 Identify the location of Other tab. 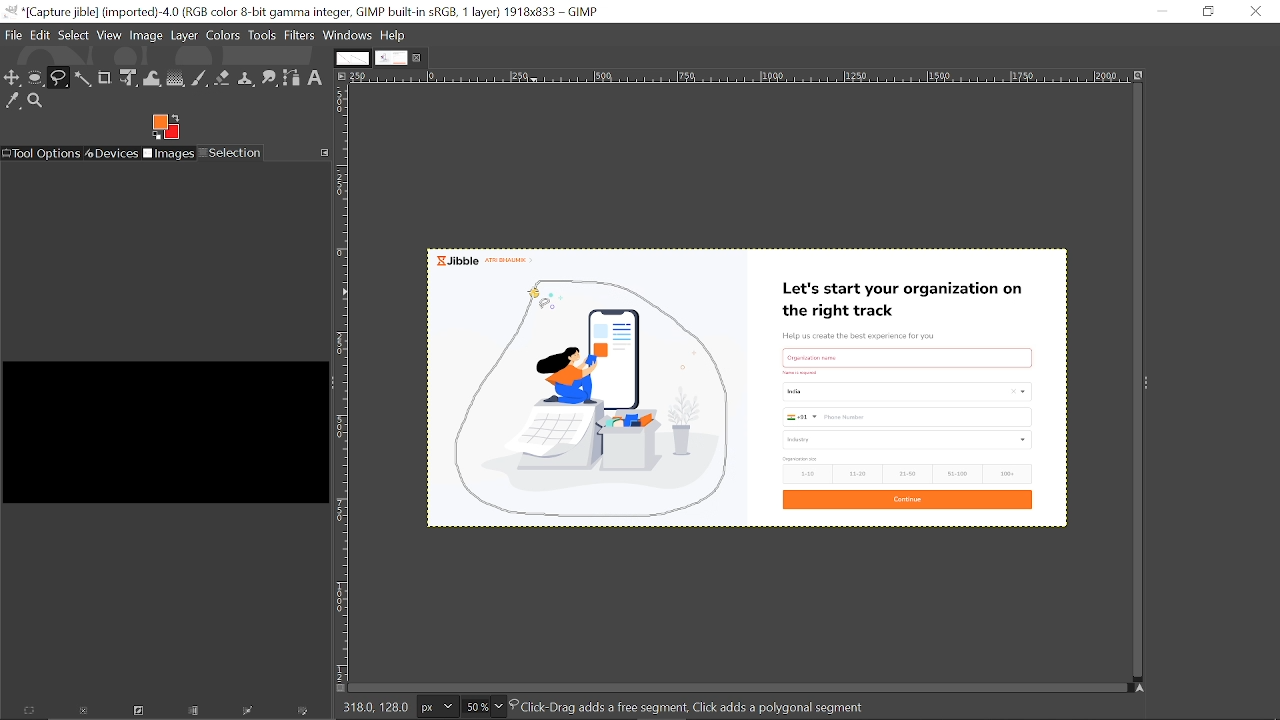
(351, 58).